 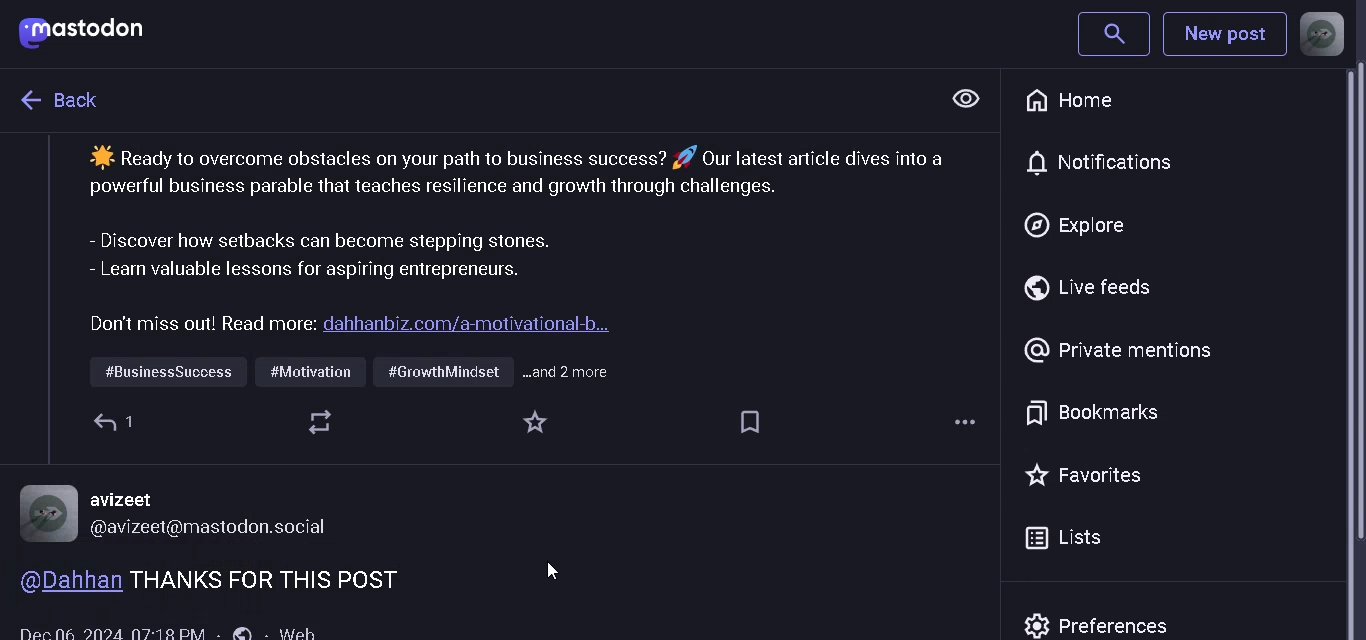 I want to click on lists, so click(x=1067, y=539).